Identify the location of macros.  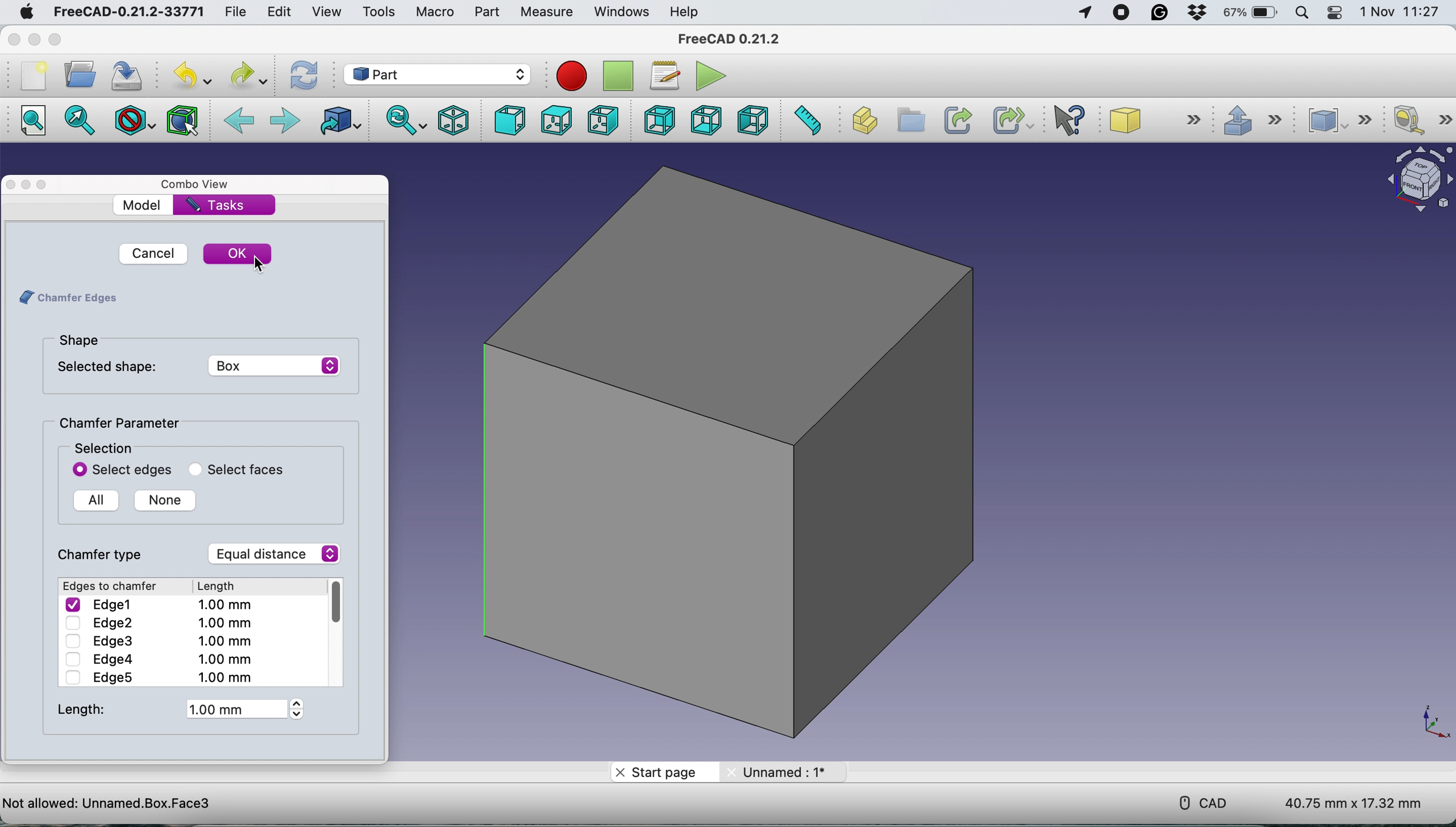
(662, 73).